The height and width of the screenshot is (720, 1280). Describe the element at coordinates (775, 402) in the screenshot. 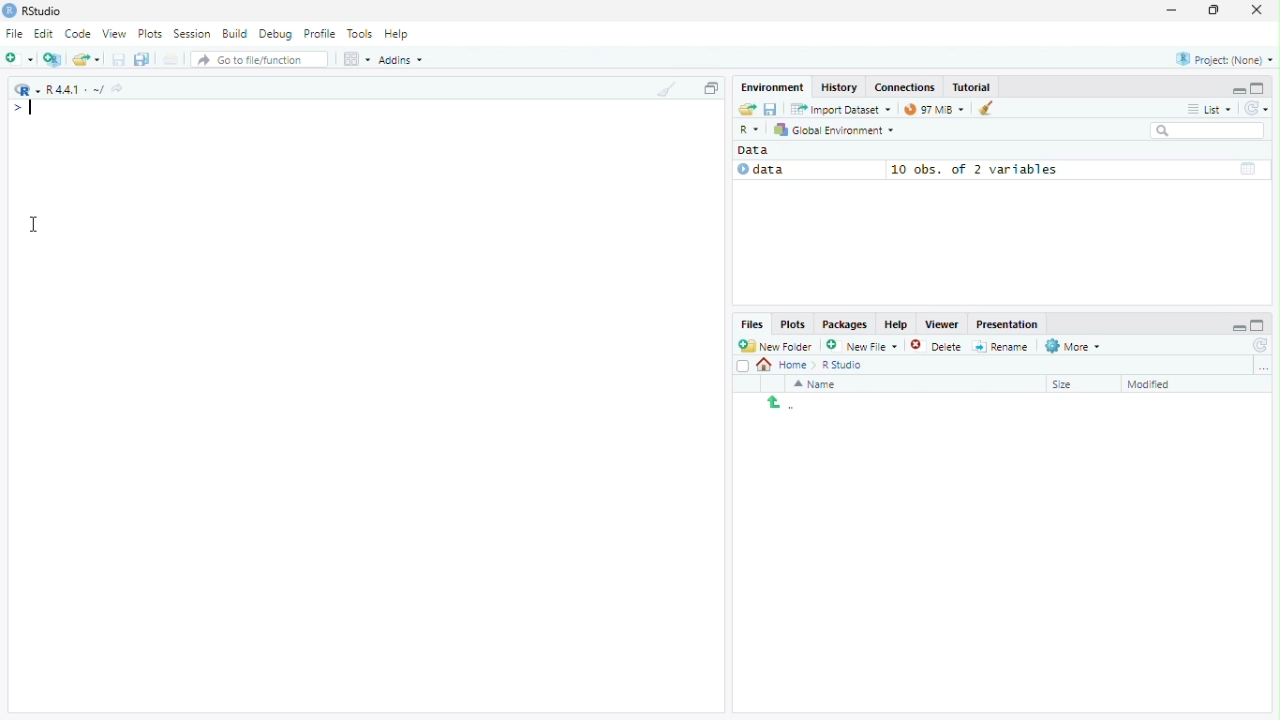

I see `back` at that location.